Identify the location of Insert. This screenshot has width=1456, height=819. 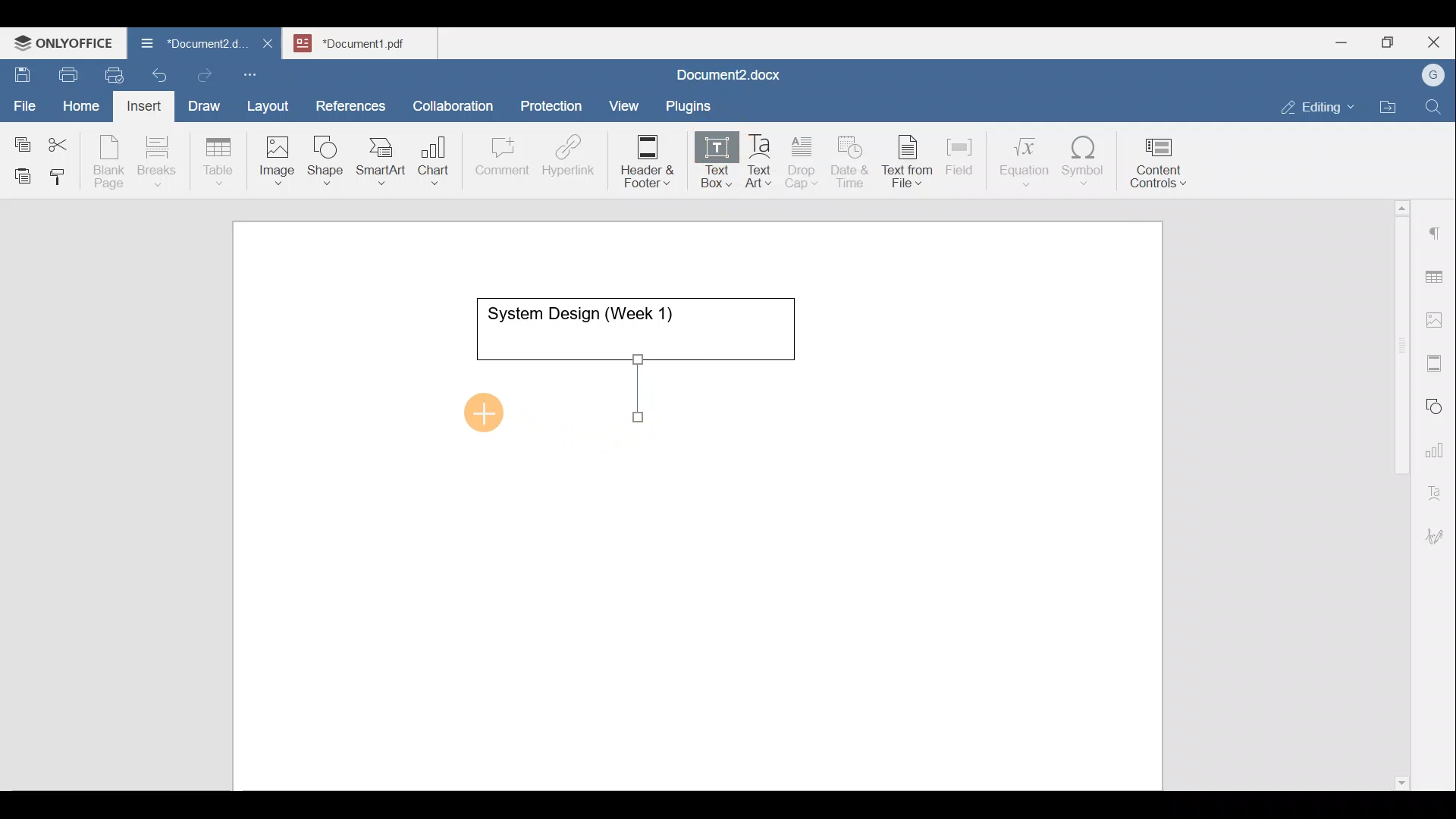
(140, 103).